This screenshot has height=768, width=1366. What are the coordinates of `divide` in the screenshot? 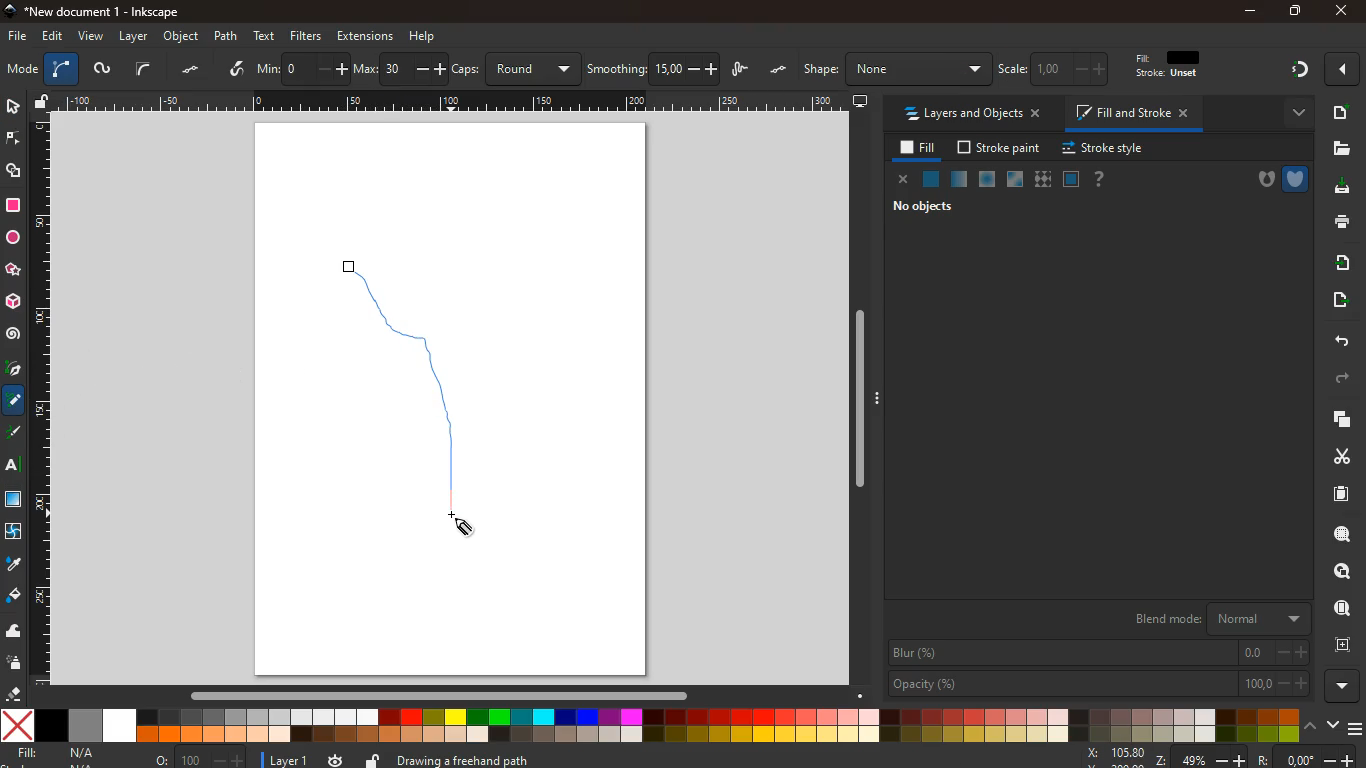 It's located at (272, 70).